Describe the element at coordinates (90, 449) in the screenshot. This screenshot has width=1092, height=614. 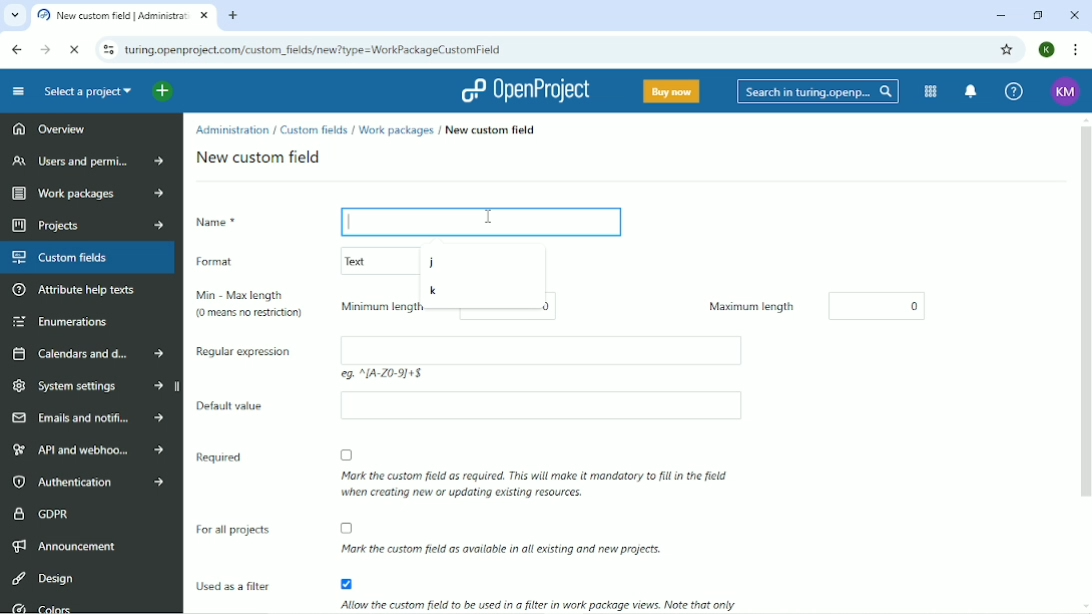
I see `API and webhooks` at that location.